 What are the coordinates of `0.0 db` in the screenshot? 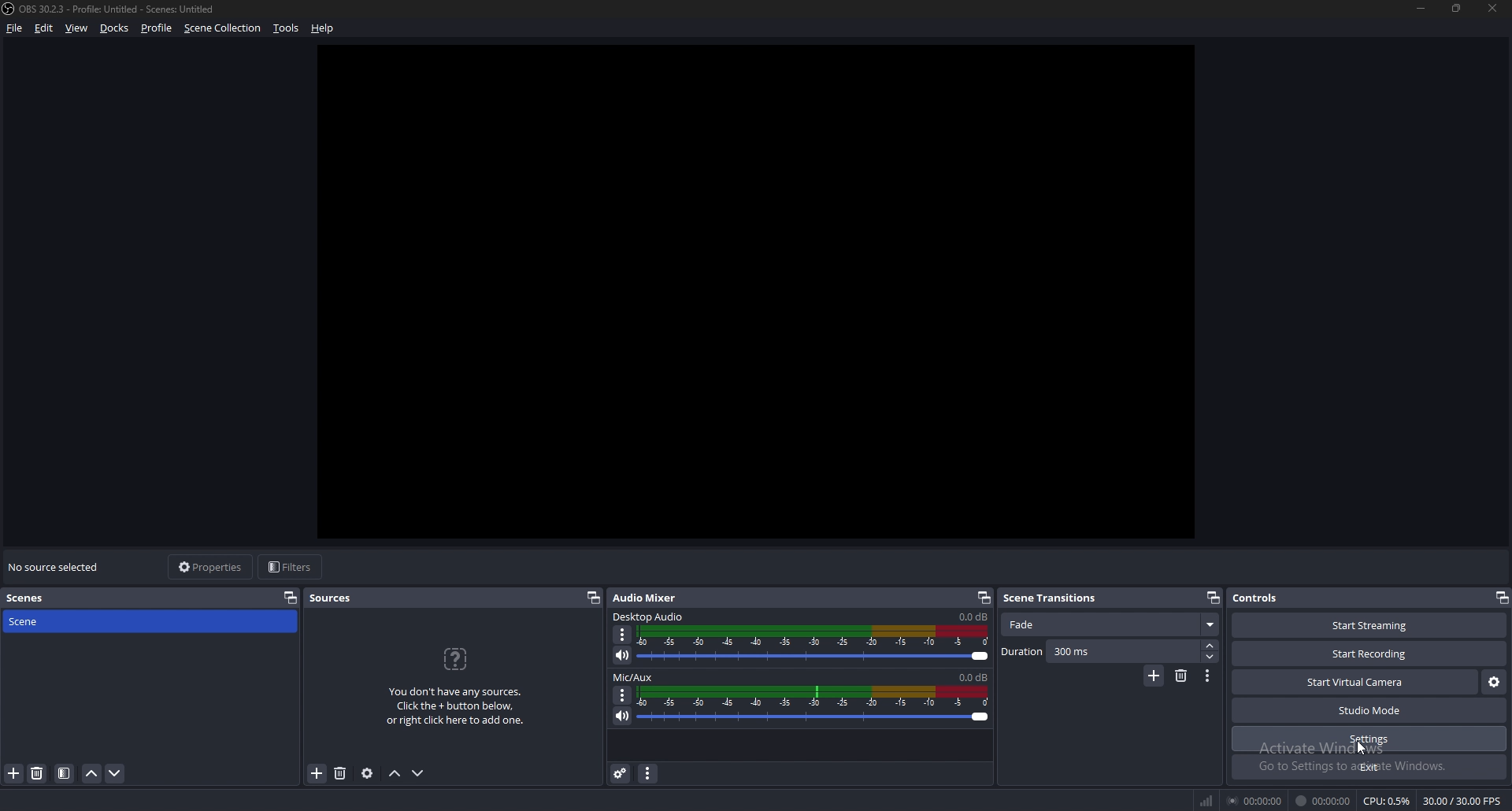 It's located at (971, 617).